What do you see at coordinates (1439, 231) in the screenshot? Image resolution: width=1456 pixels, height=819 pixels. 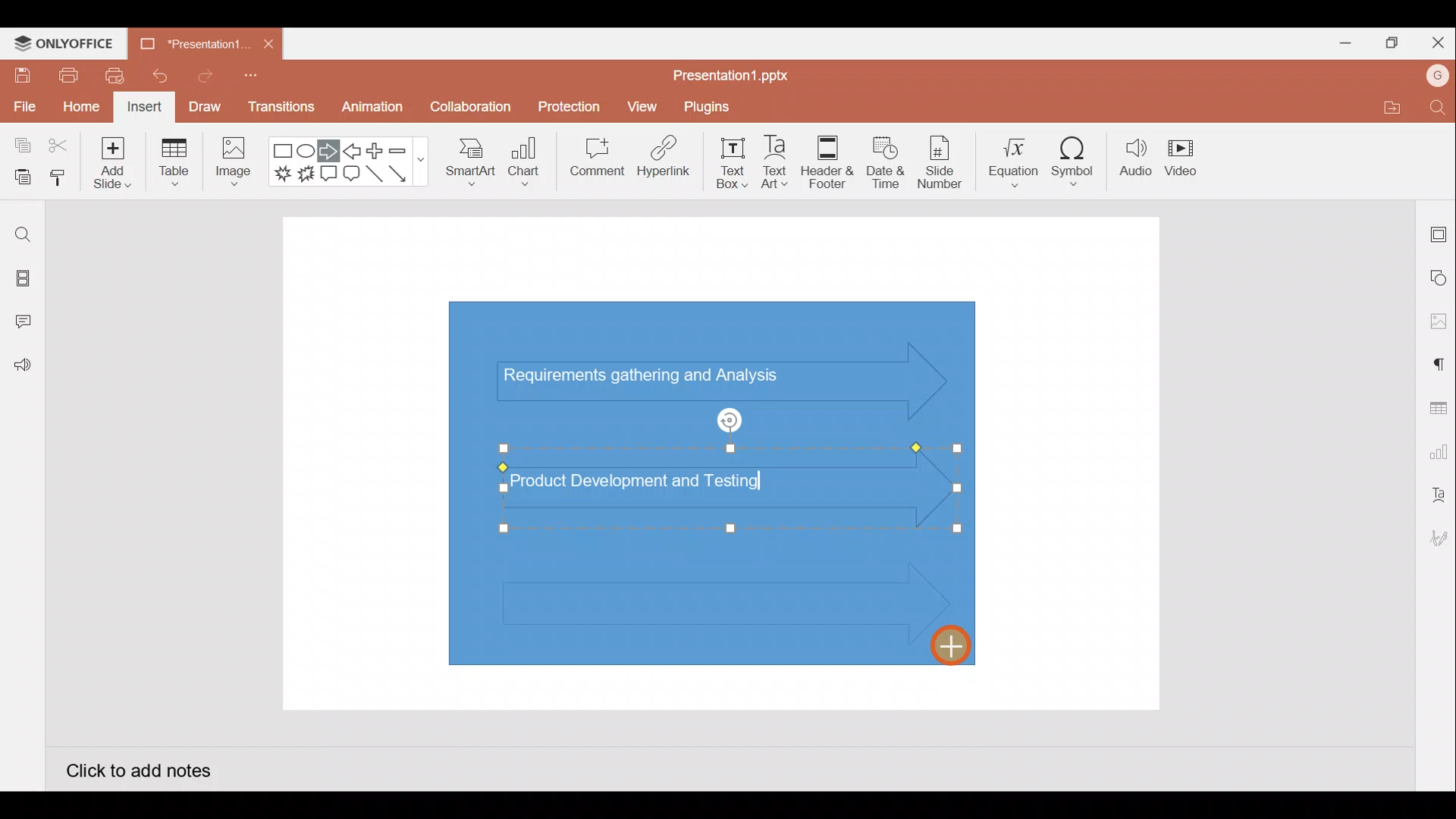 I see `Slide settings` at bounding box center [1439, 231].